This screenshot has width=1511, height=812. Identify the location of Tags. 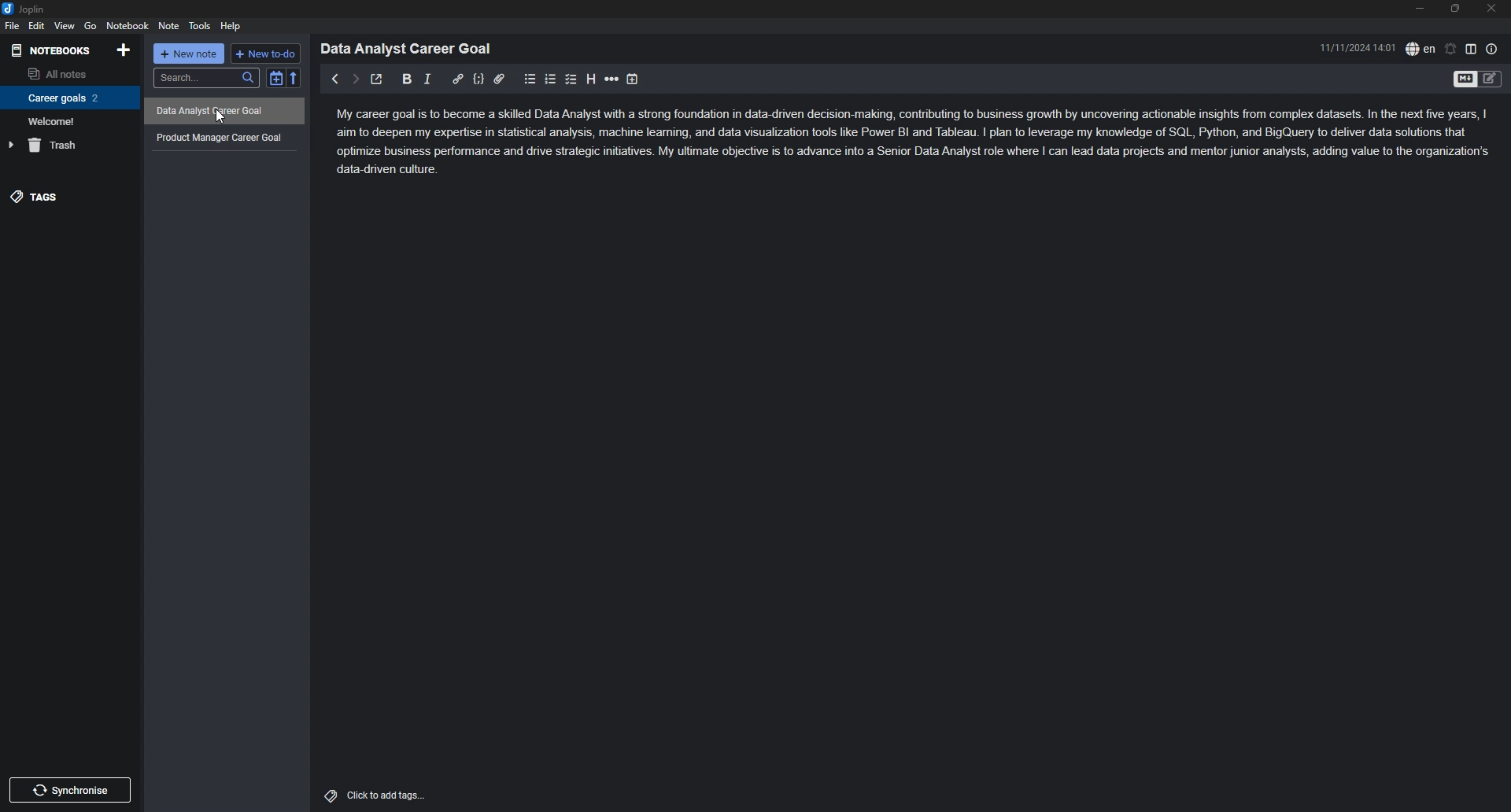
(327, 794).